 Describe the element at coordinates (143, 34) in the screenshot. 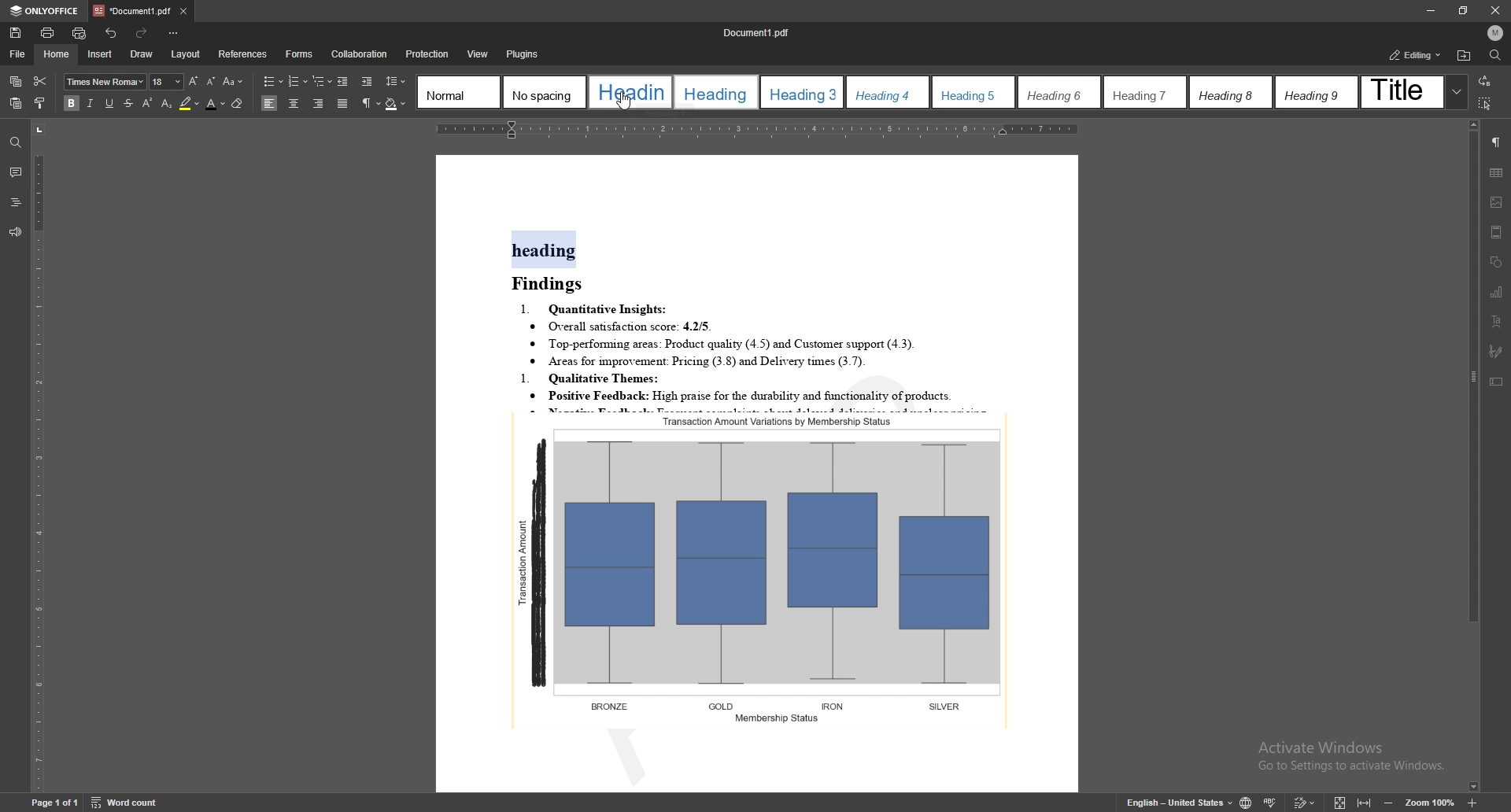

I see `redo` at that location.